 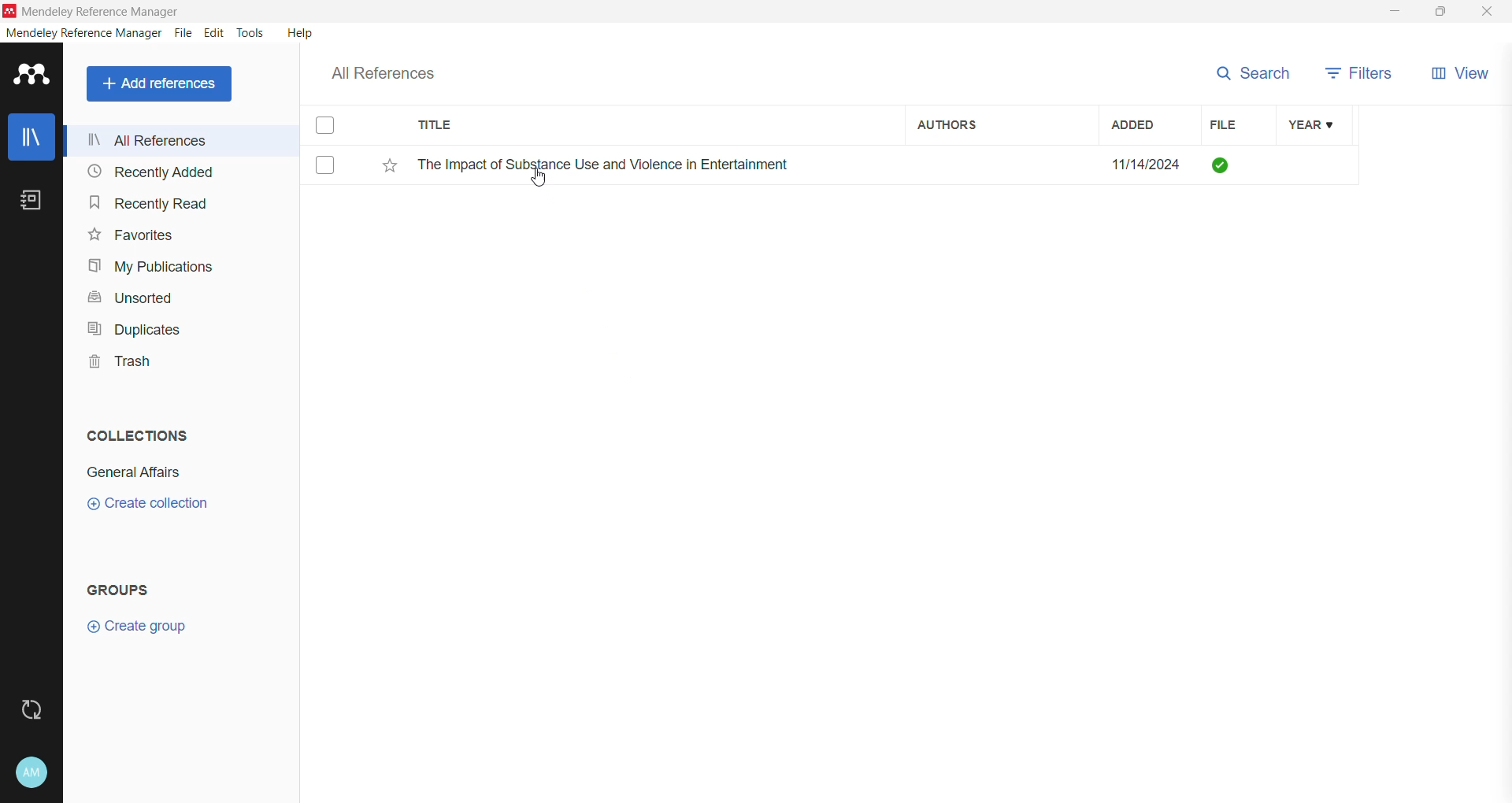 I want to click on File, so click(x=183, y=34).